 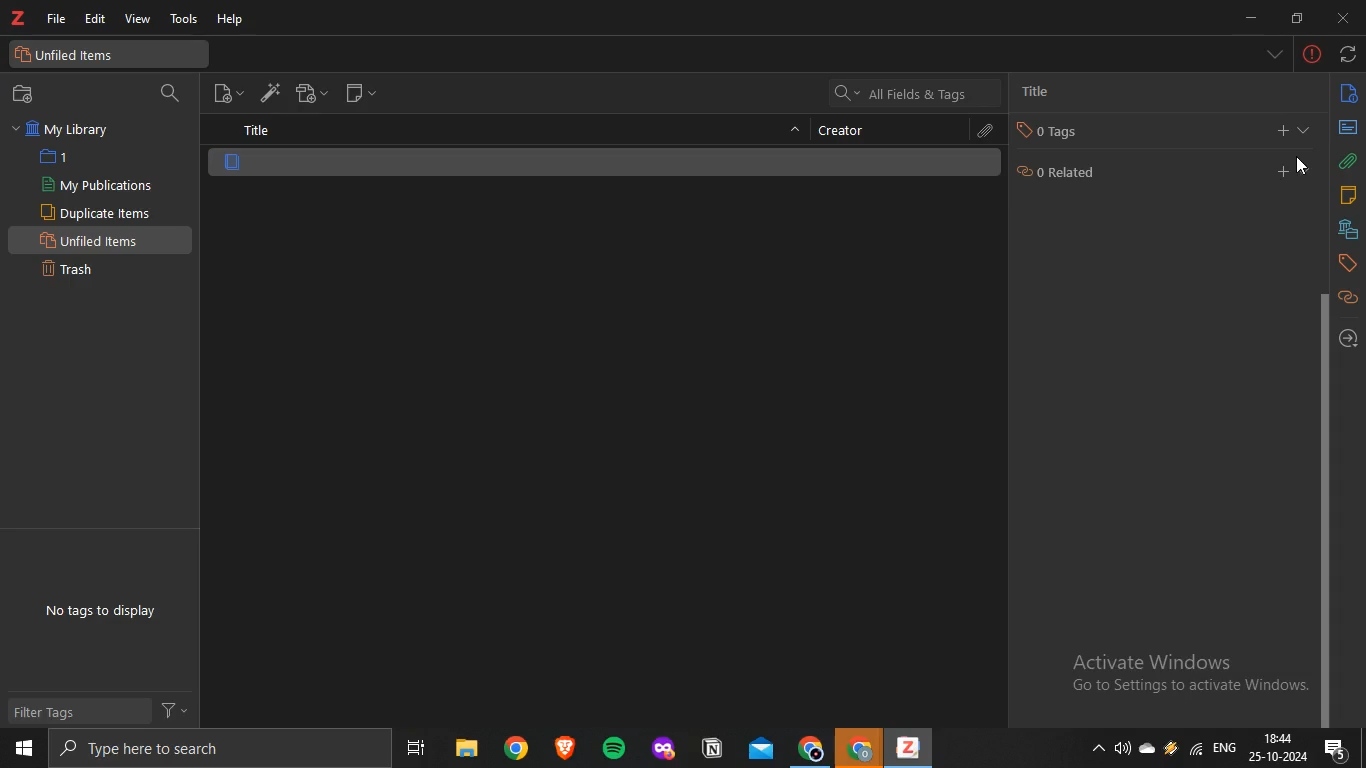 I want to click on attachments, so click(x=1349, y=161).